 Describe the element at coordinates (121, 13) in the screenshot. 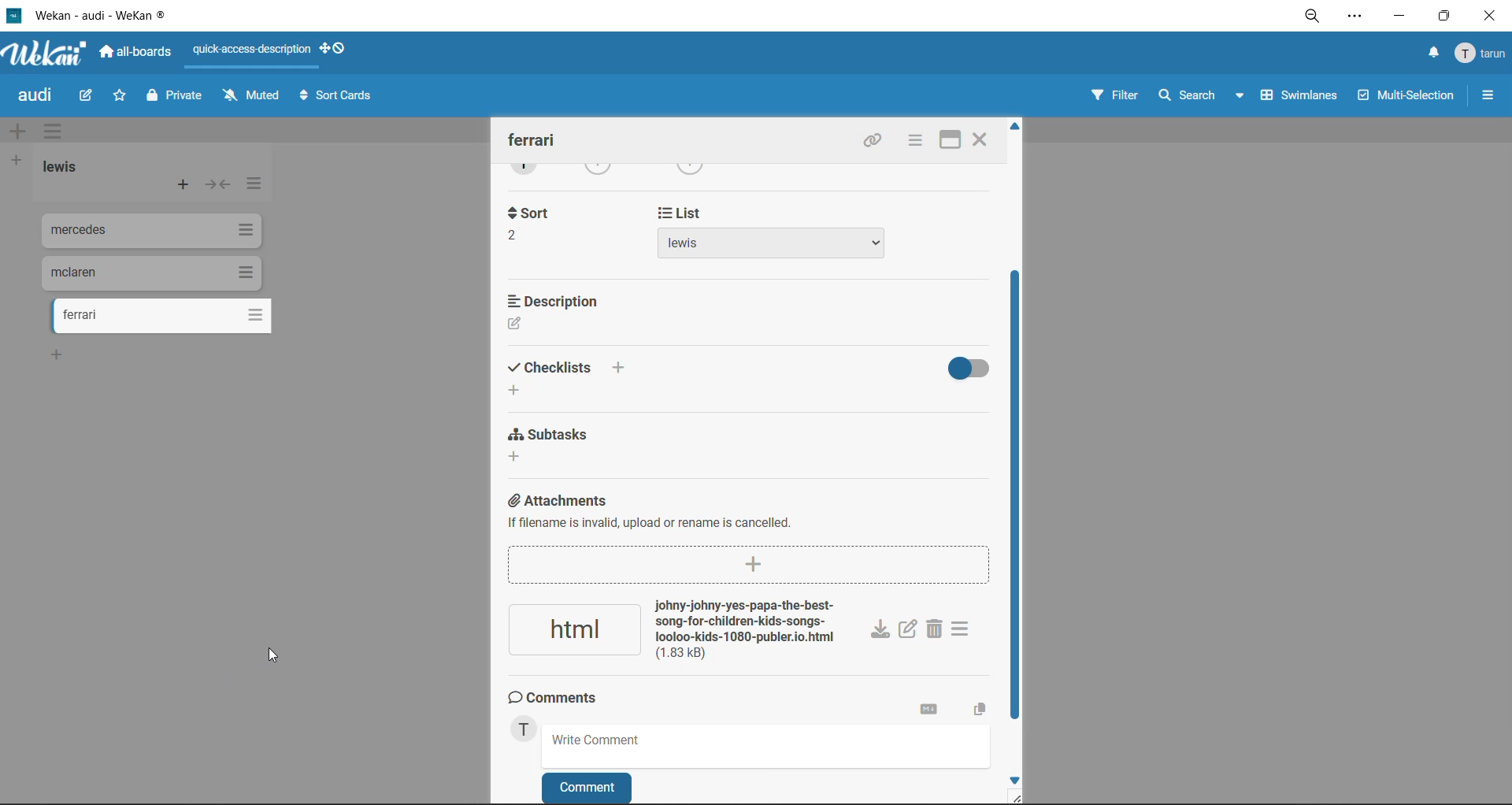

I see `app title` at that location.